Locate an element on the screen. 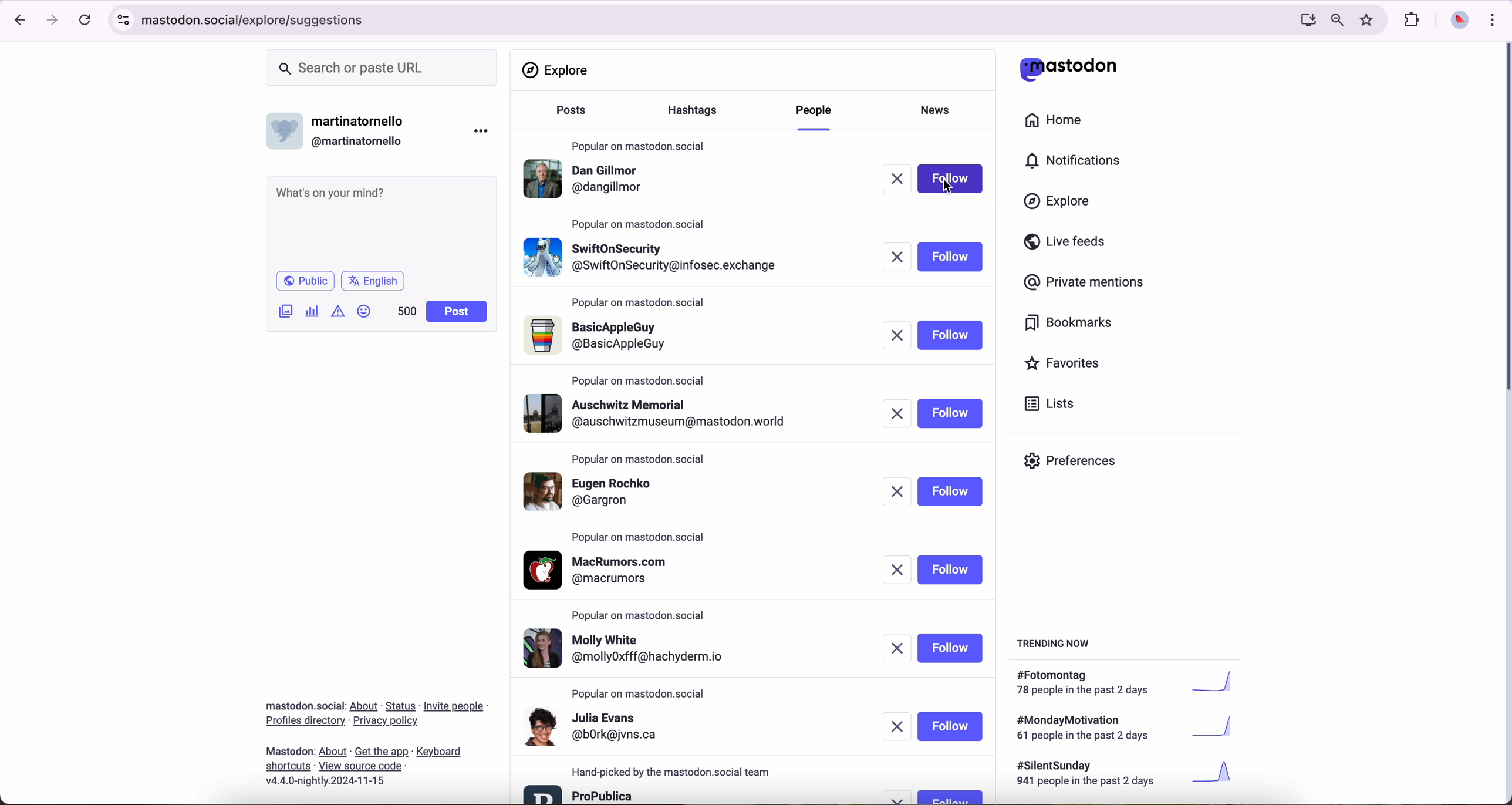 The image size is (1512, 805). profile is located at coordinates (580, 793).